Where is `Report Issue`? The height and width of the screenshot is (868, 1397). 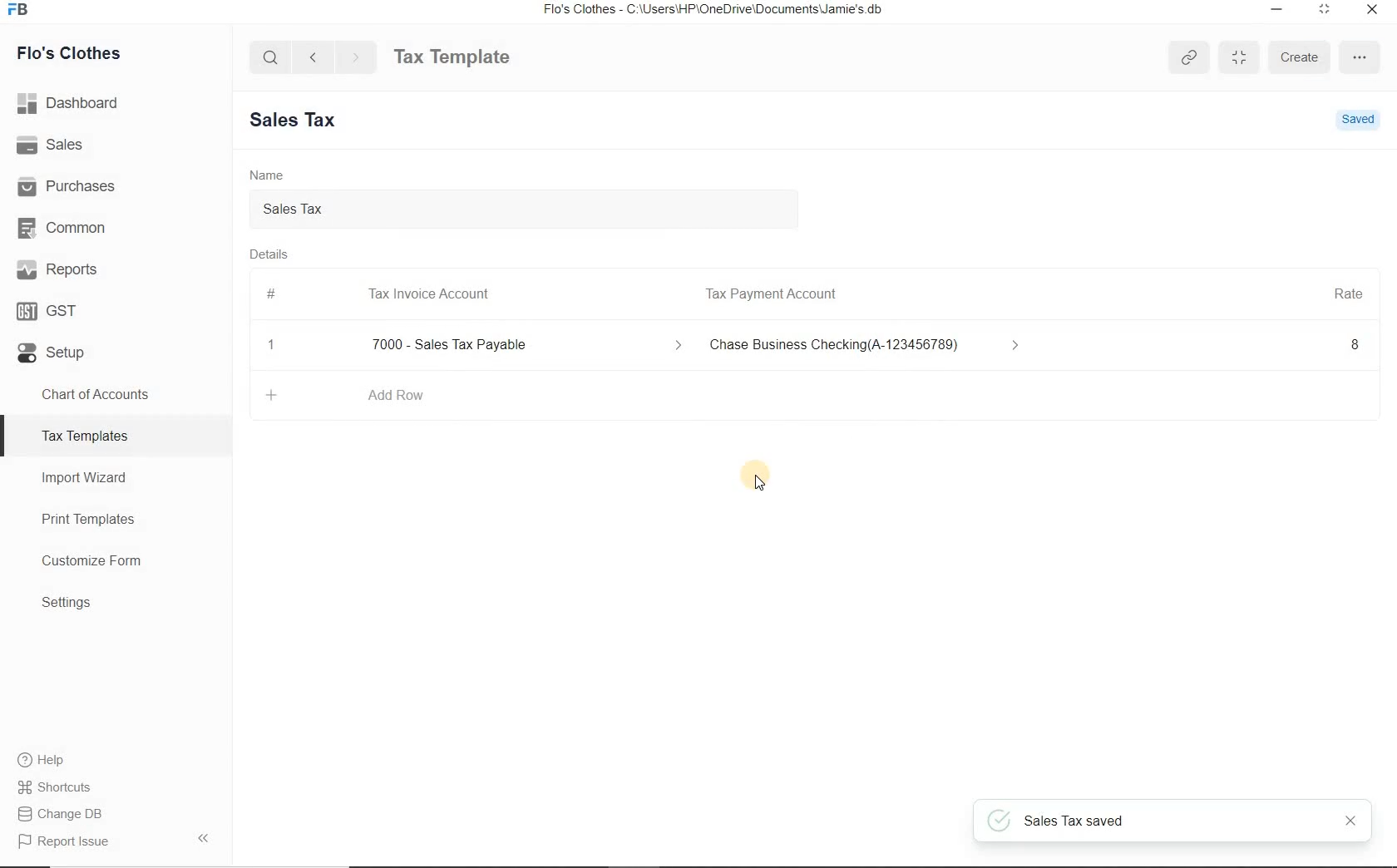 Report Issue is located at coordinates (116, 841).